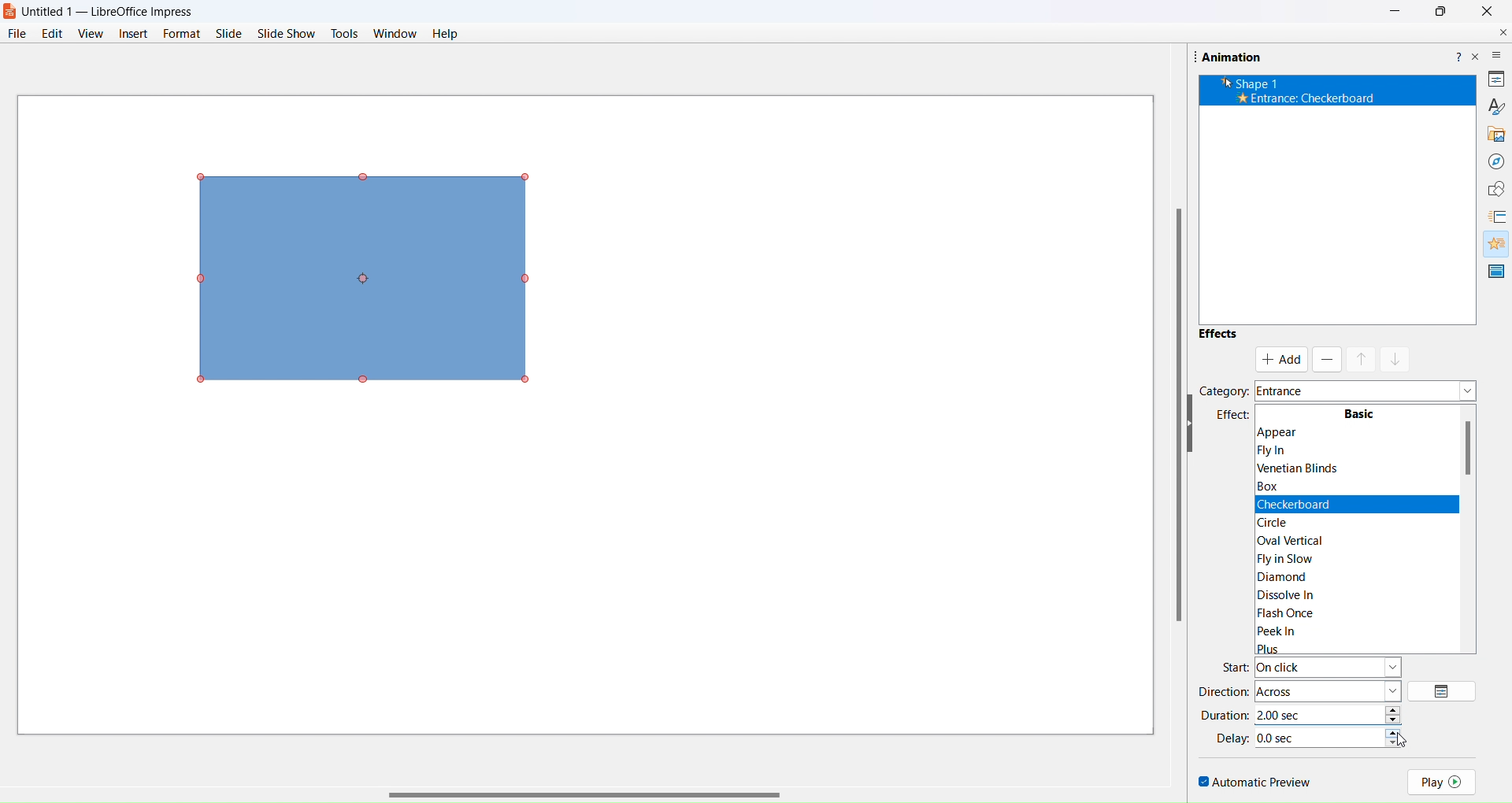  What do you see at coordinates (1457, 54) in the screenshot?
I see `help` at bounding box center [1457, 54].